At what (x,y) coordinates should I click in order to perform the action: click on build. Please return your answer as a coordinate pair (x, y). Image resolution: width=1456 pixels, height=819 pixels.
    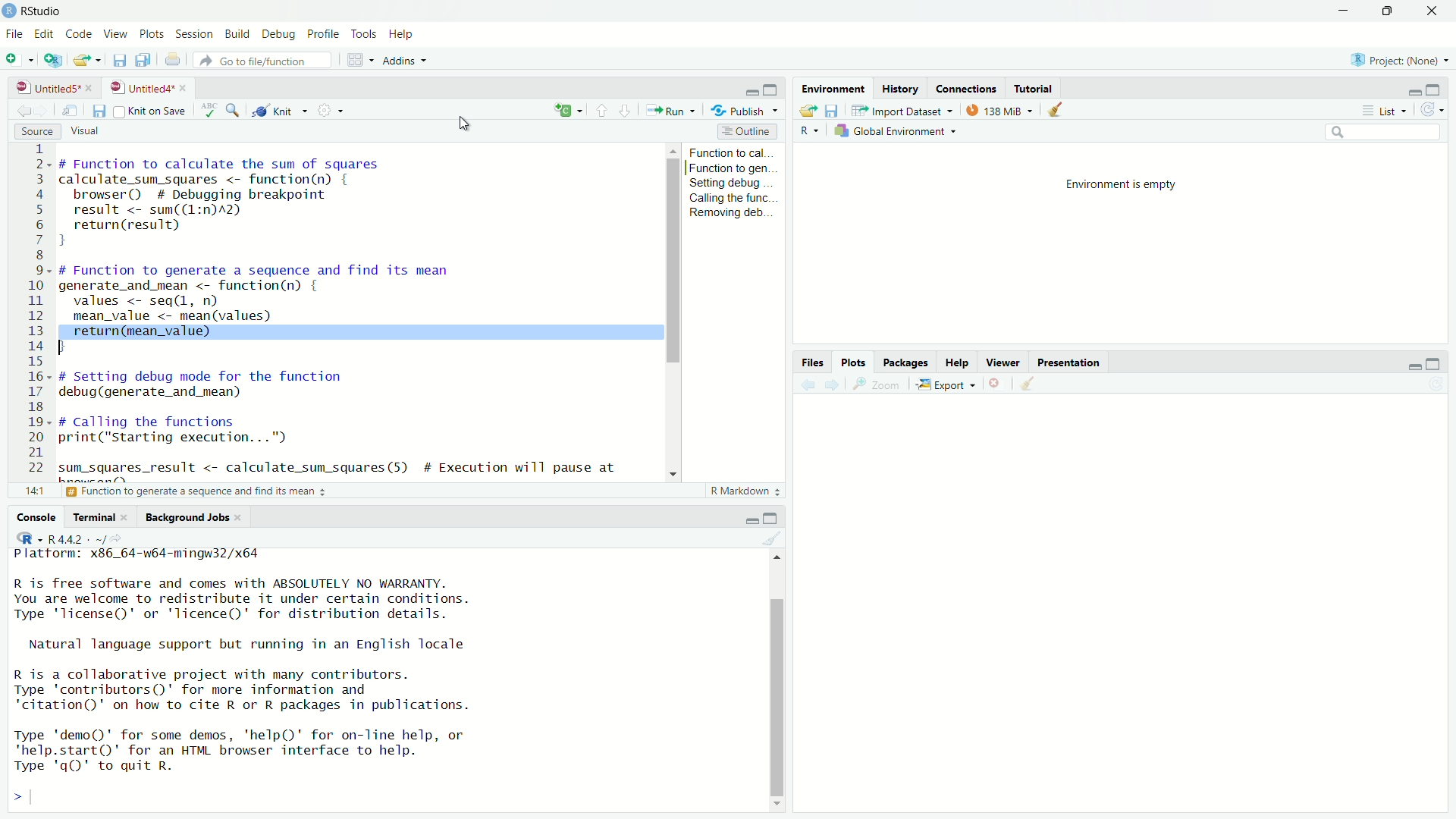
    Looking at the image, I should click on (238, 33).